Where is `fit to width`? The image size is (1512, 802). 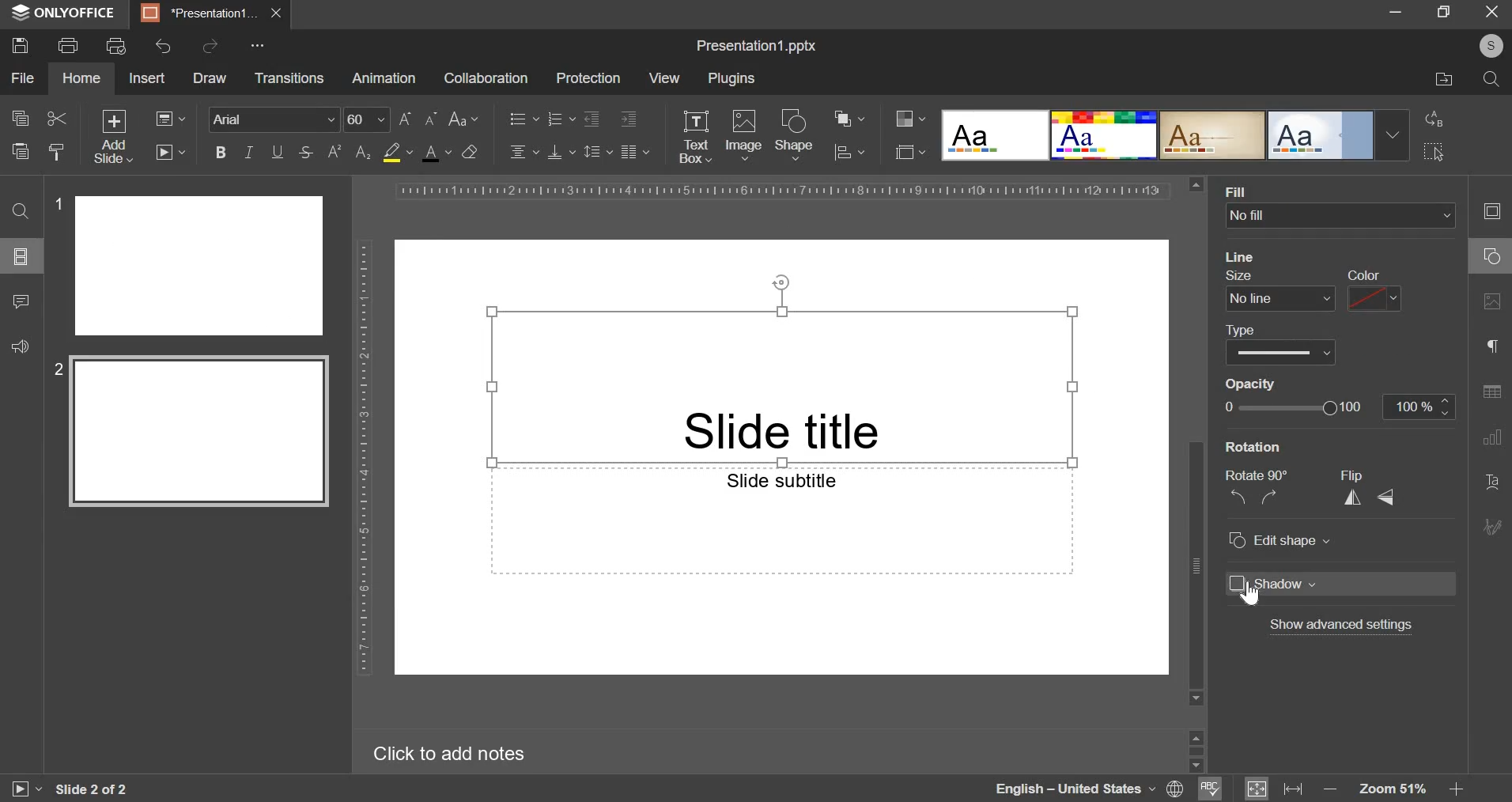 fit to width is located at coordinates (1295, 788).